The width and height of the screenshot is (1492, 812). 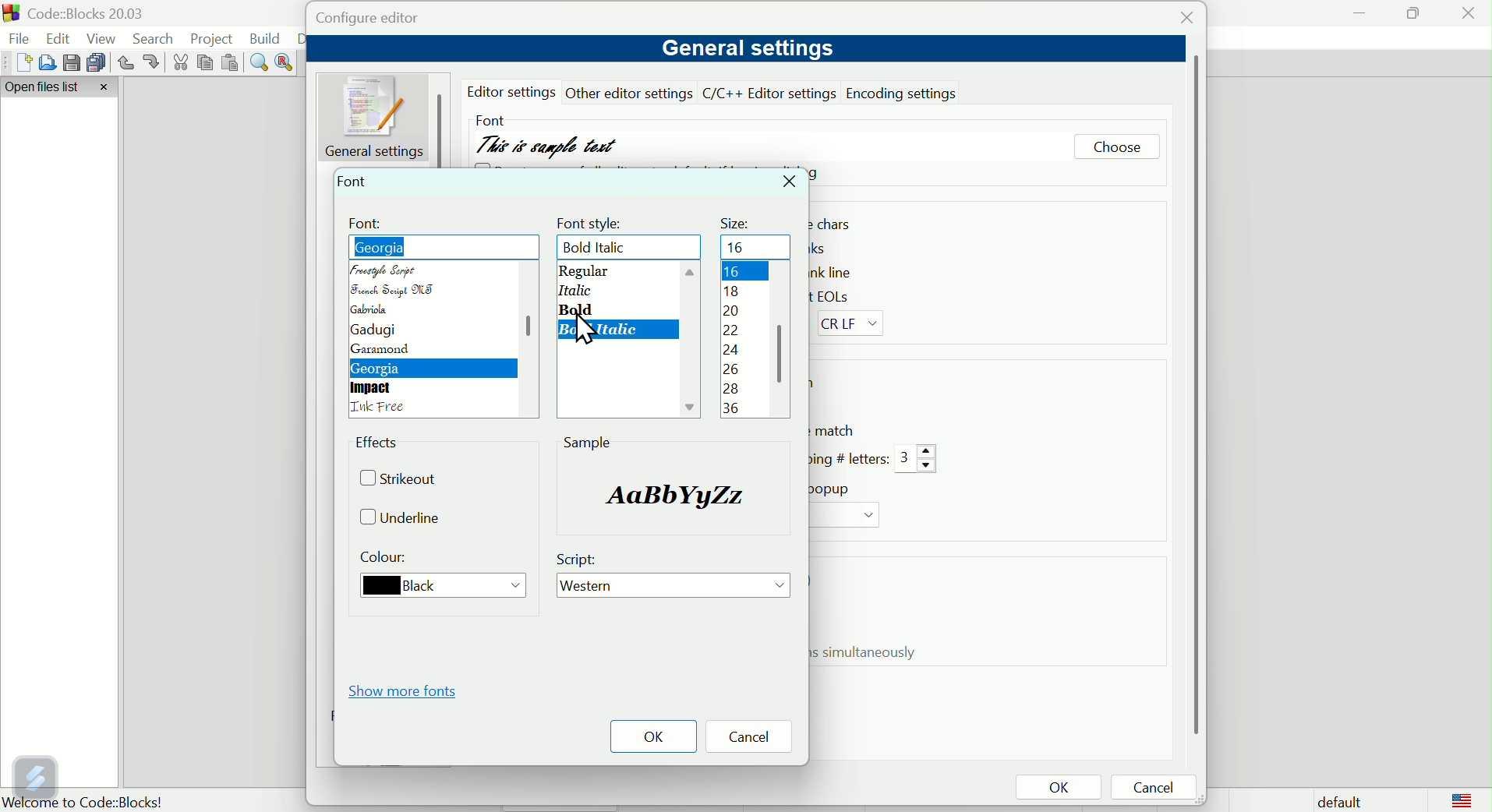 I want to click on bold, so click(x=578, y=309).